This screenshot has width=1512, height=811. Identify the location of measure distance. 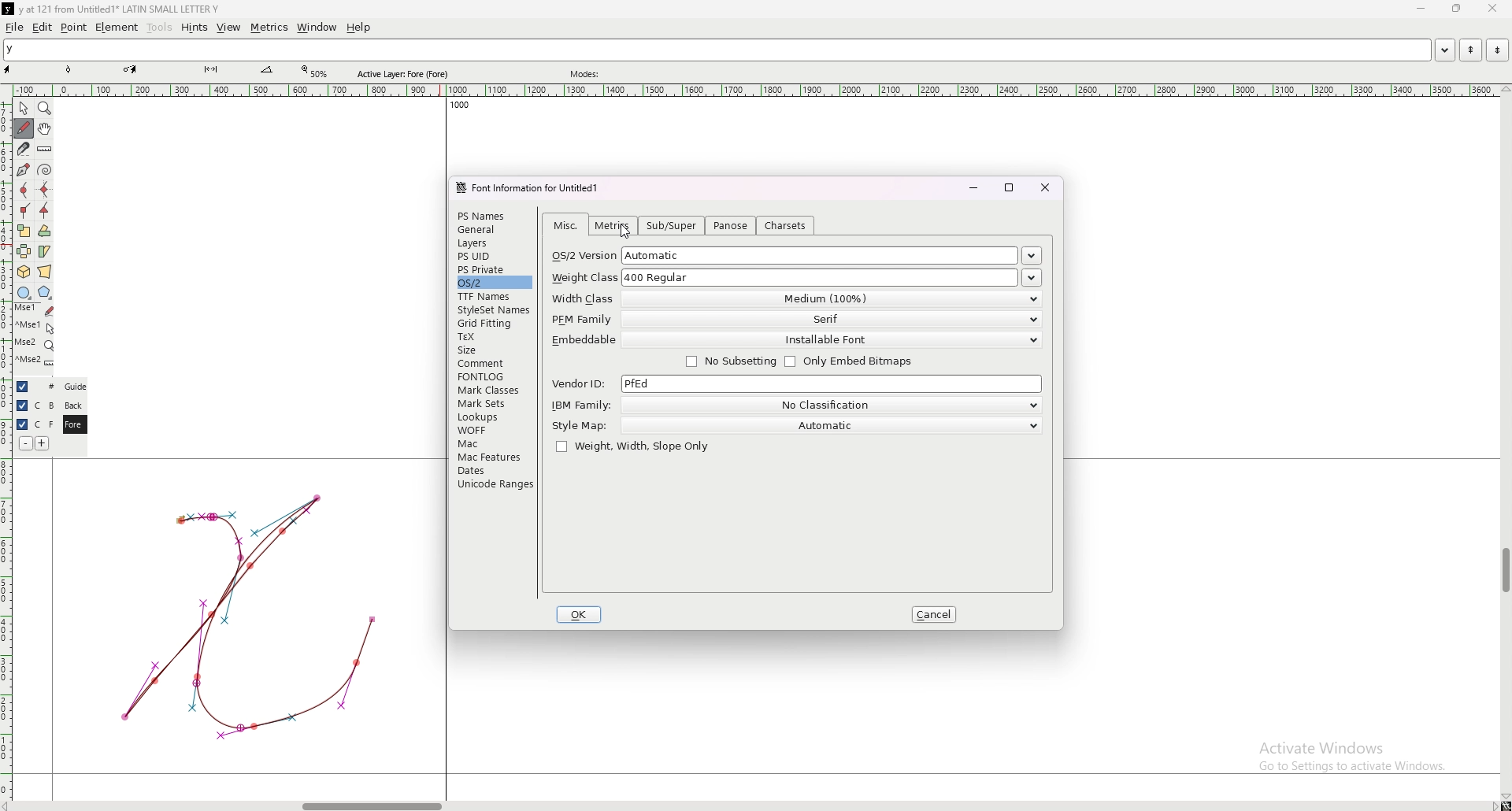
(45, 150).